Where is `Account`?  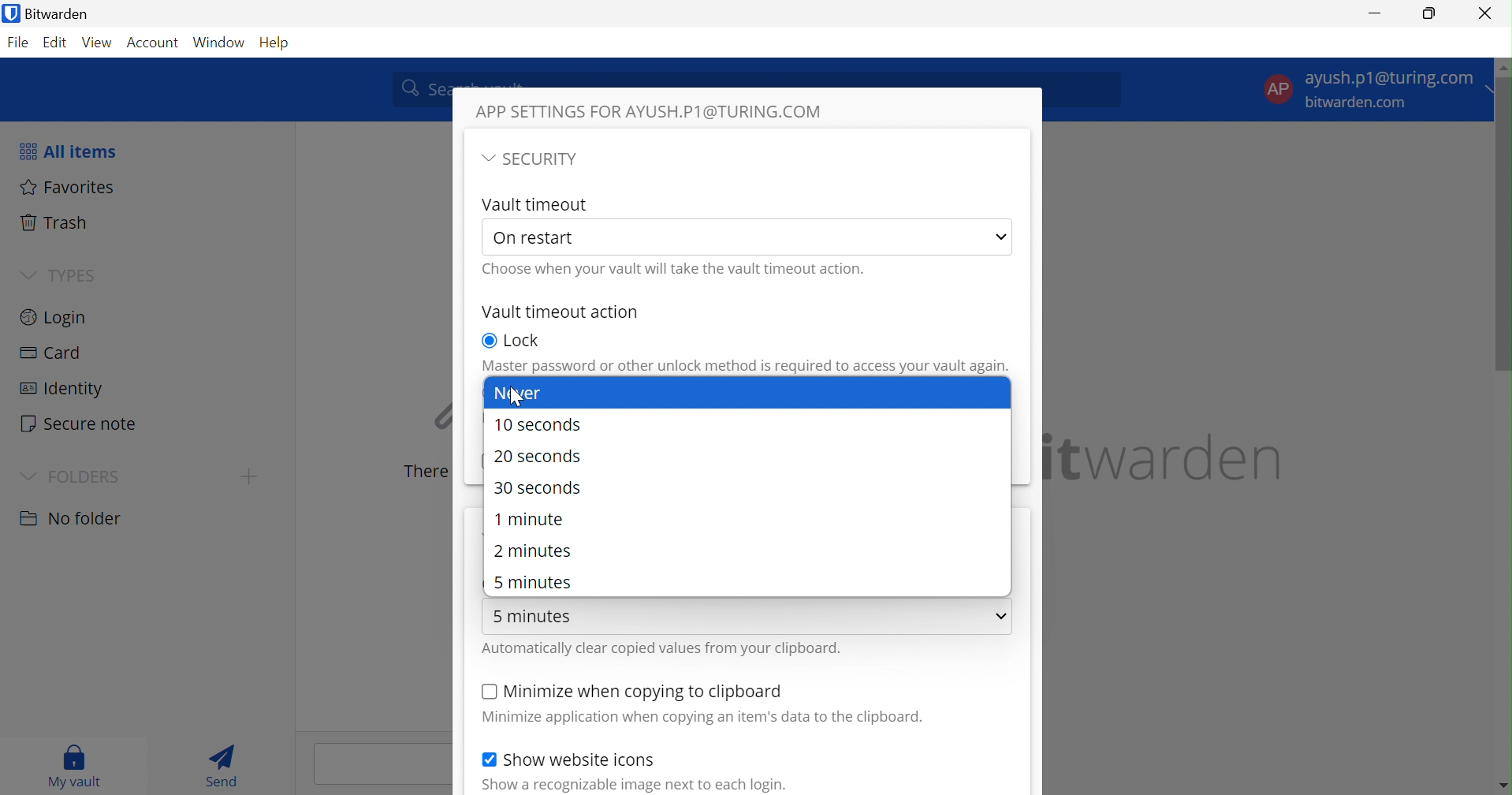
Account is located at coordinates (154, 43).